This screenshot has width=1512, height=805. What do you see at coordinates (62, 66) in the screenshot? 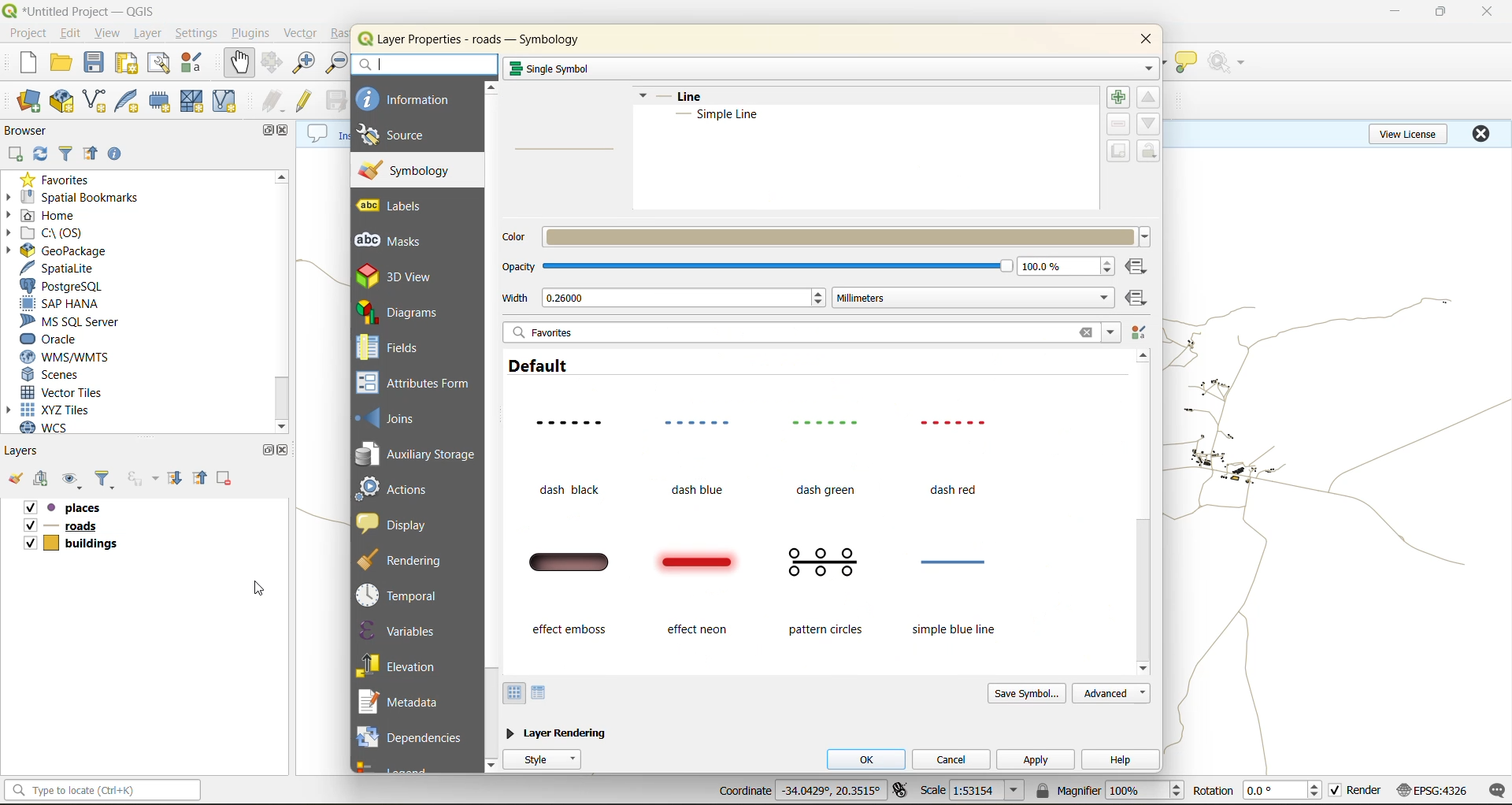
I see `open` at bounding box center [62, 66].